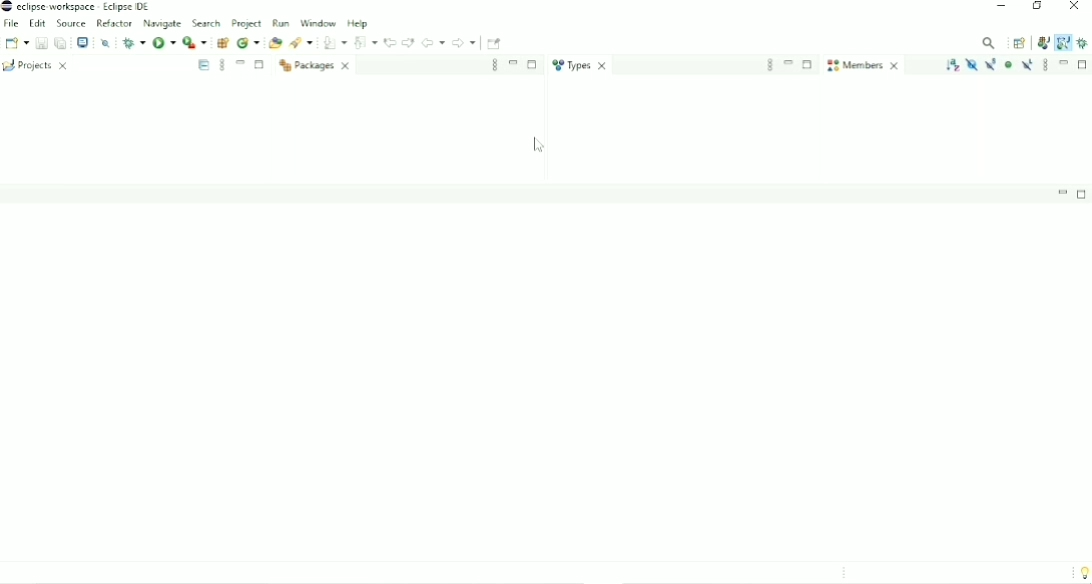 The image size is (1092, 584). What do you see at coordinates (409, 42) in the screenshot?
I see `next edit location` at bounding box center [409, 42].